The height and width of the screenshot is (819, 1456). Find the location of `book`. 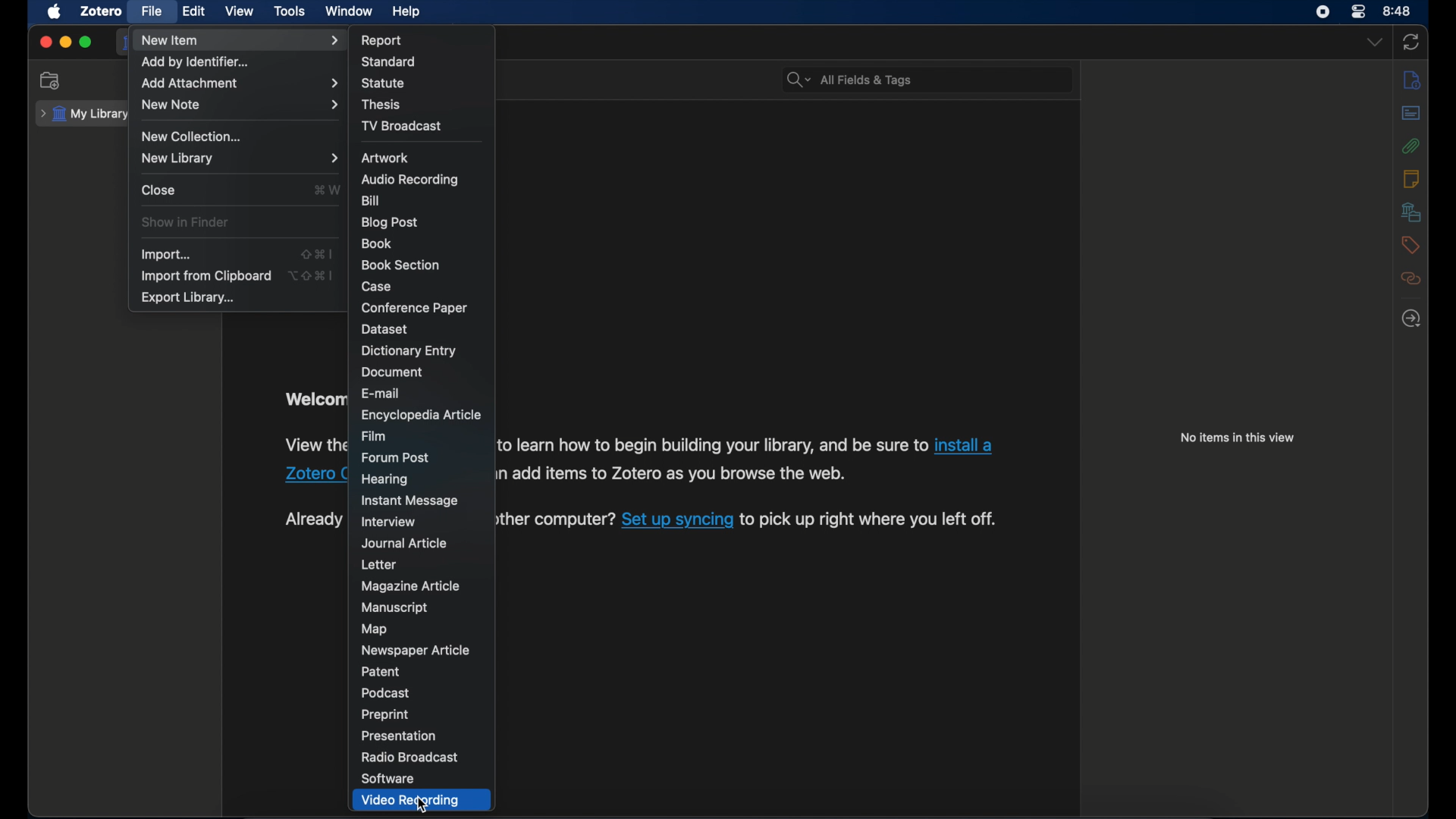

book is located at coordinates (377, 244).